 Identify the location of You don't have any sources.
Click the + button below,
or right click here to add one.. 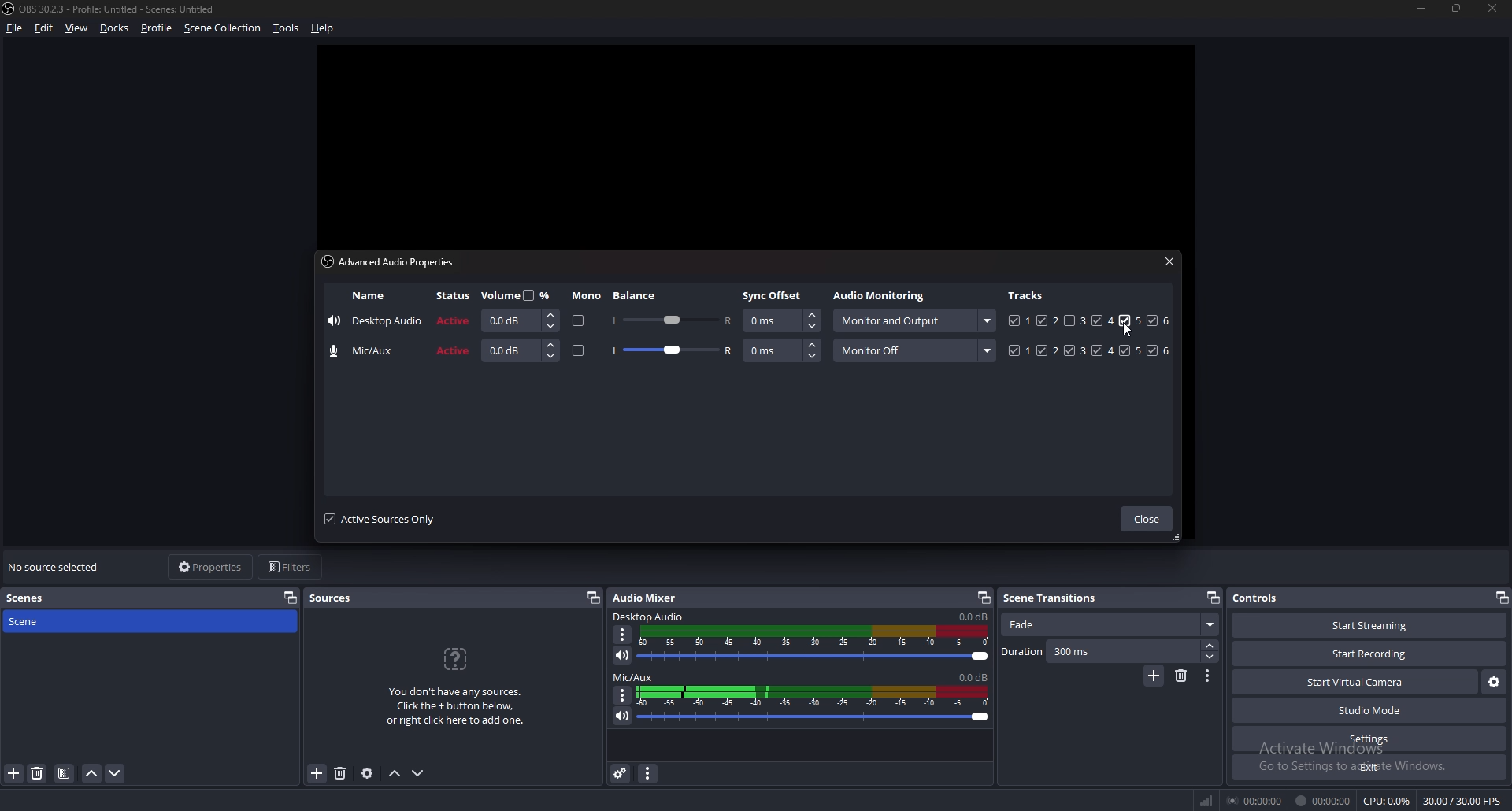
(461, 687).